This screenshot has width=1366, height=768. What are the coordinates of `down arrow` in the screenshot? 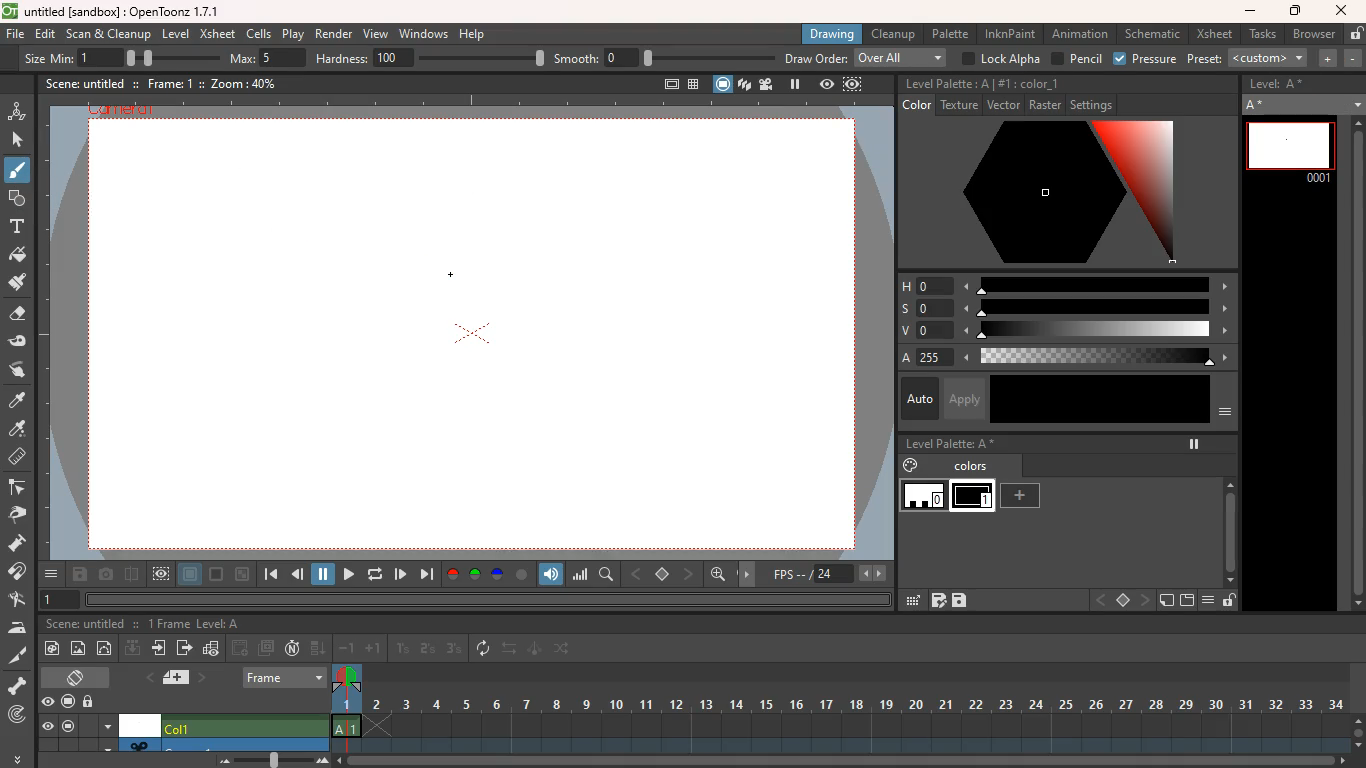 It's located at (106, 746).